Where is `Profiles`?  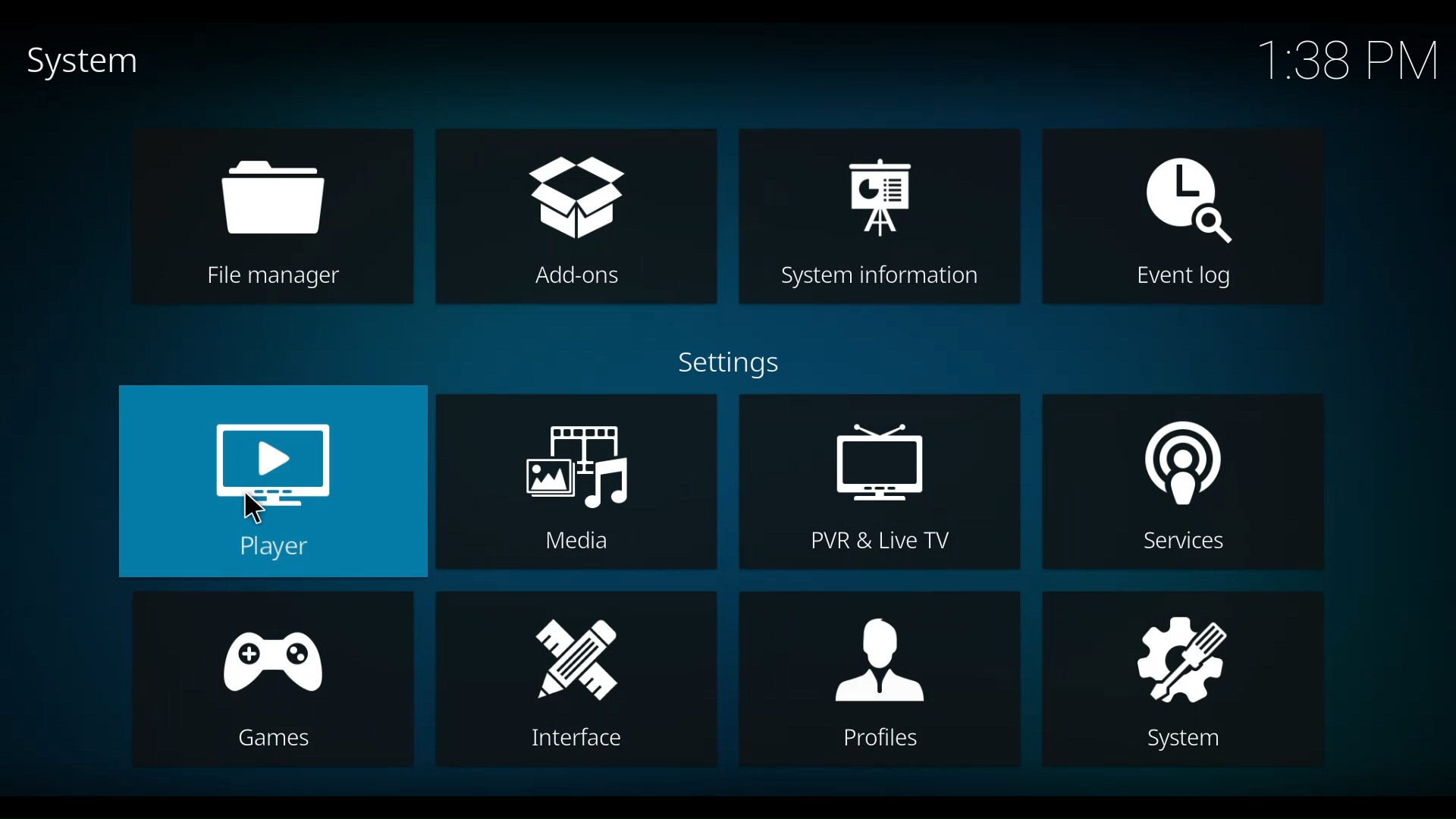
Profiles is located at coordinates (879, 676).